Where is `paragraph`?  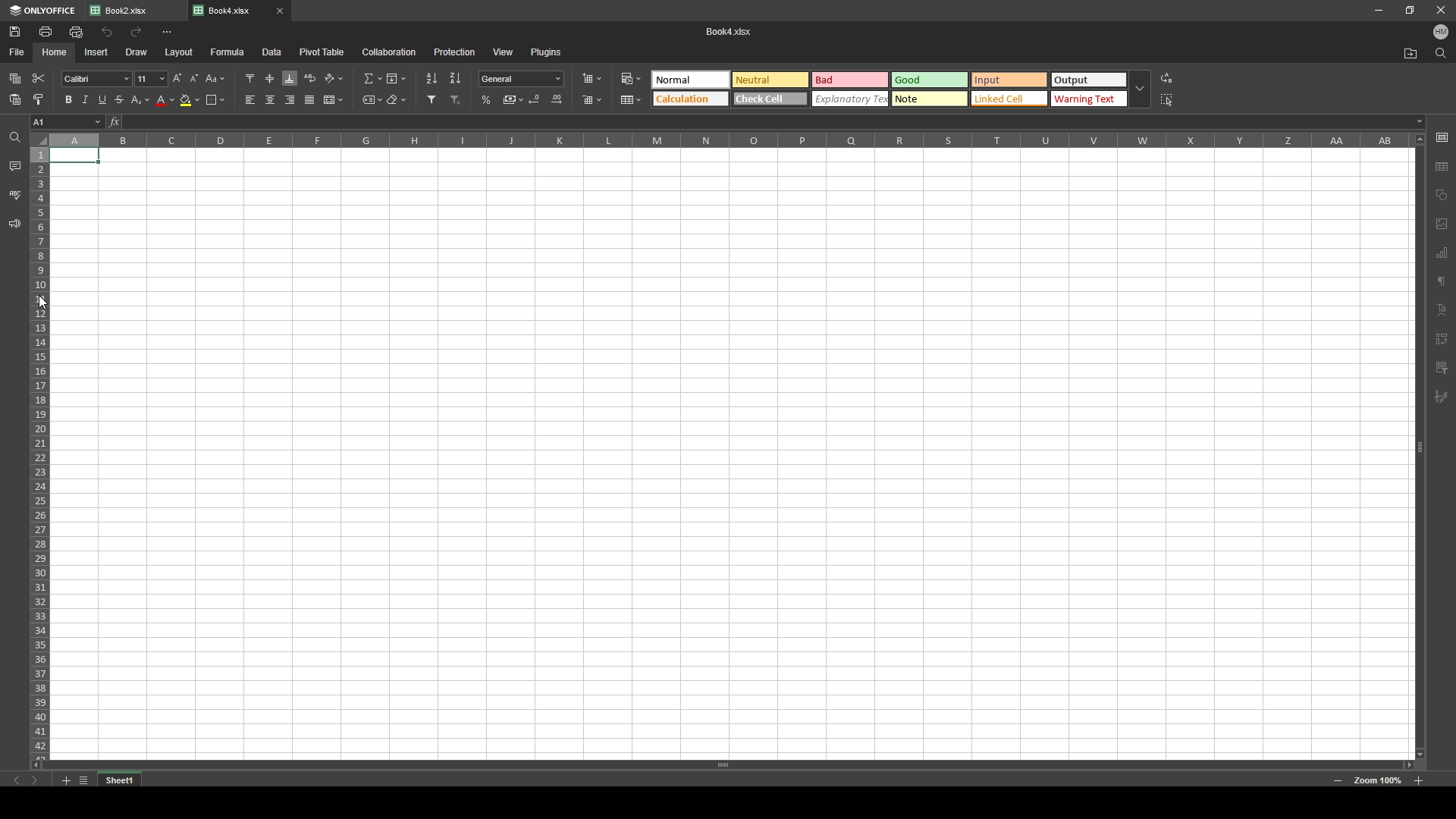 paragraph is located at coordinates (1442, 283).